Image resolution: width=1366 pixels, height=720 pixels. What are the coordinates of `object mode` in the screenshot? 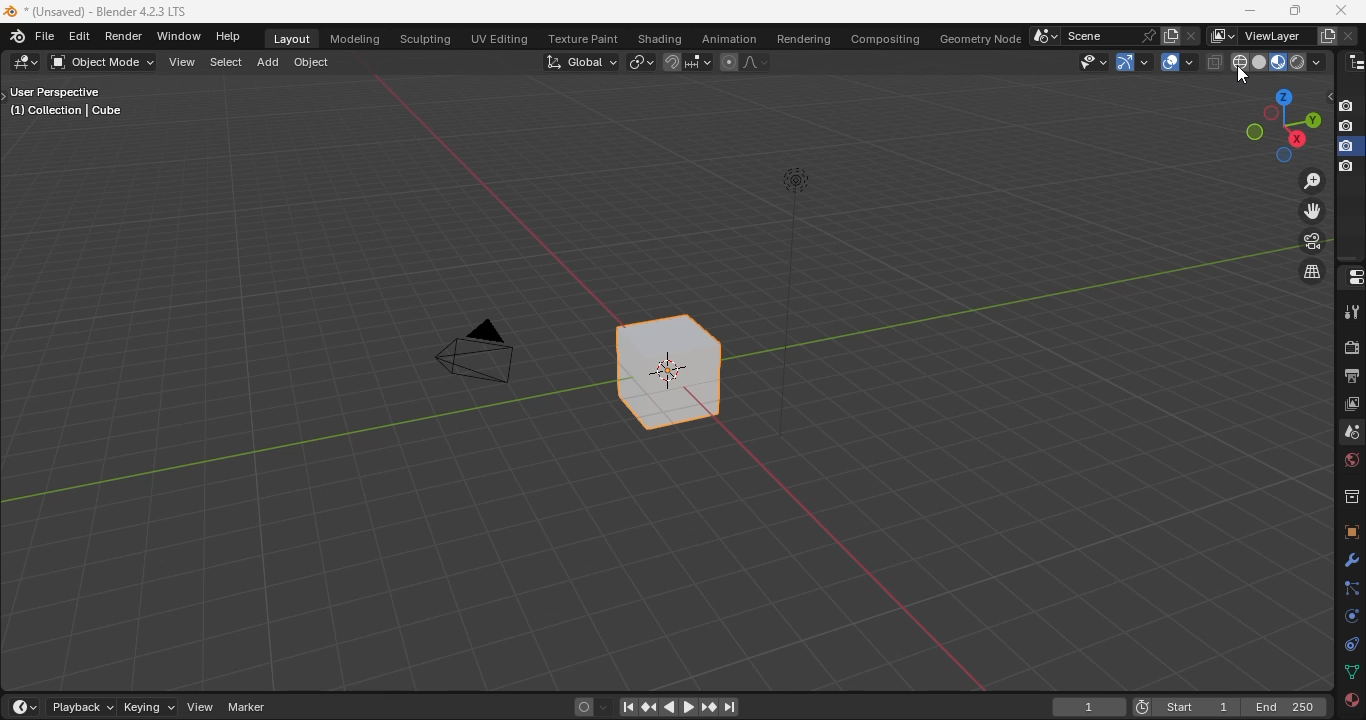 It's located at (102, 62).